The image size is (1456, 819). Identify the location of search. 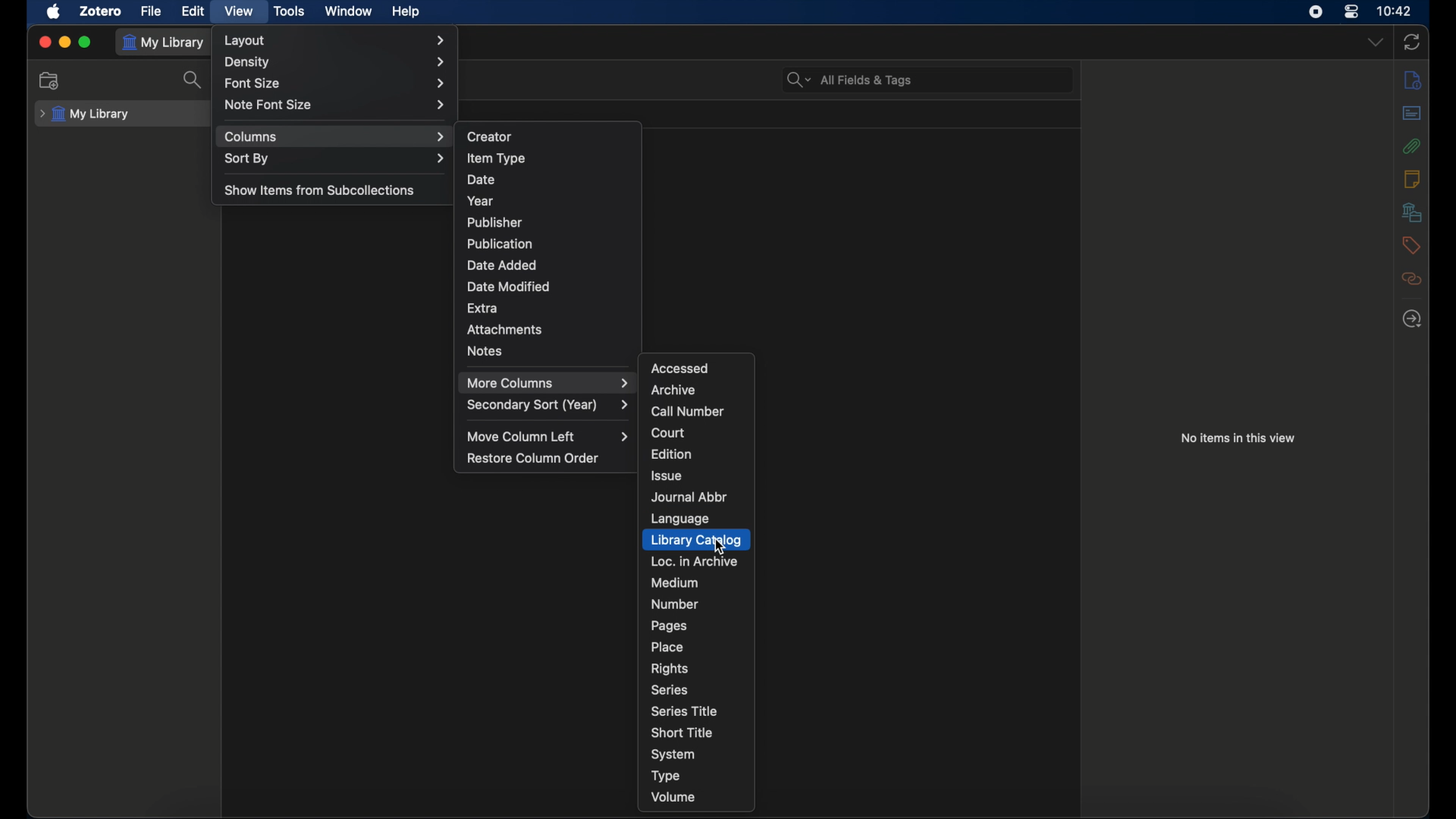
(194, 80).